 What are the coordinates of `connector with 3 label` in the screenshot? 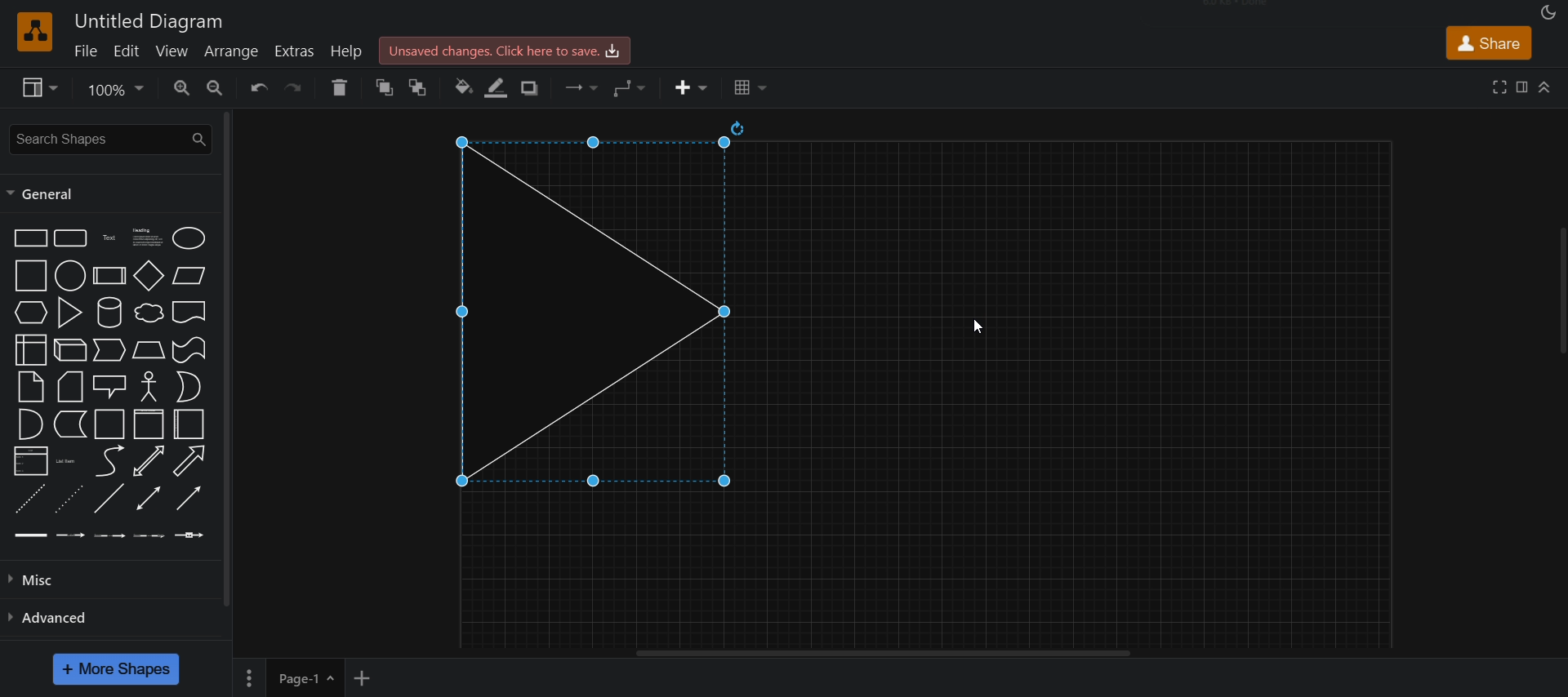 It's located at (152, 535).